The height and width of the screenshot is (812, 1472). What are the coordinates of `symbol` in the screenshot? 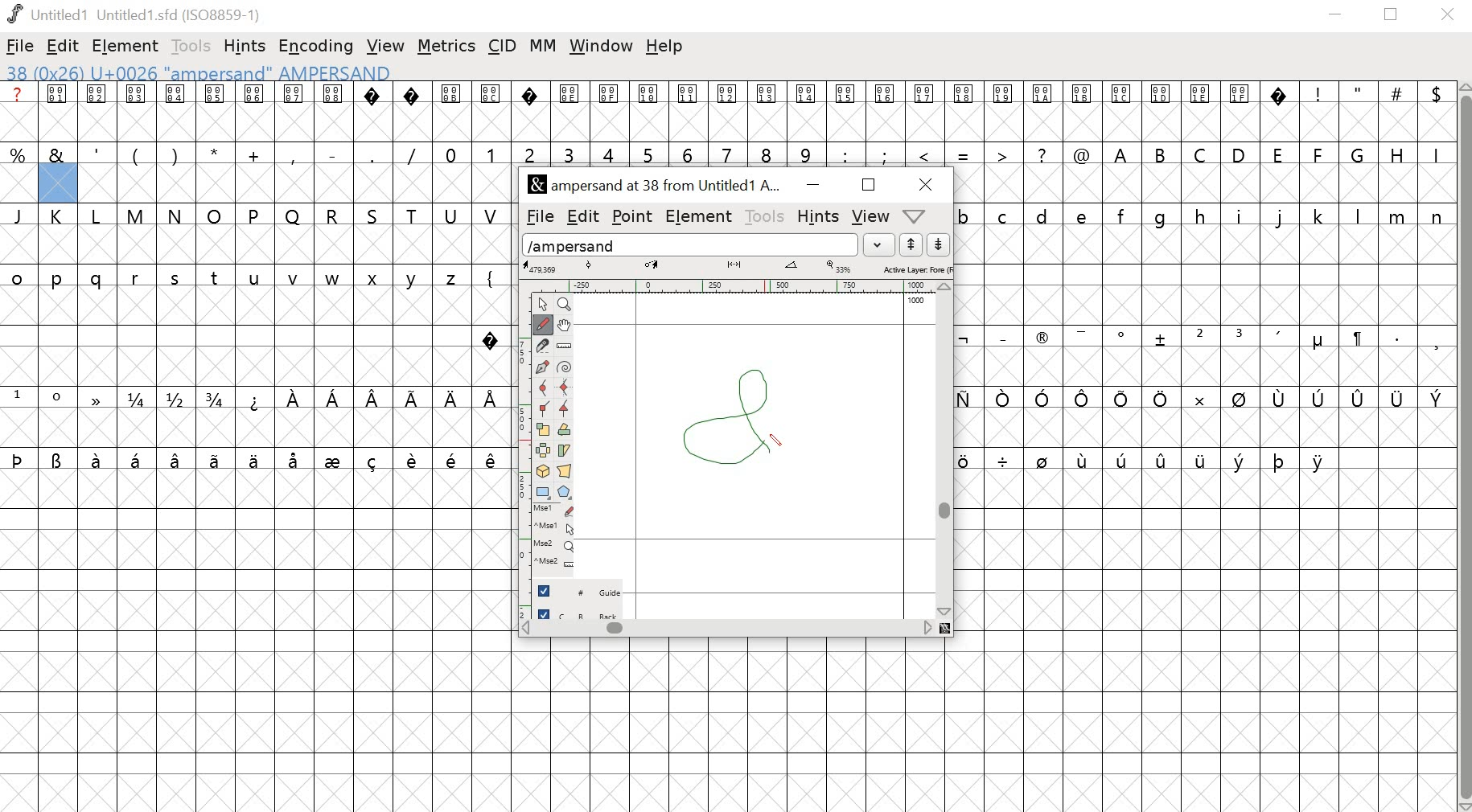 It's located at (296, 459).